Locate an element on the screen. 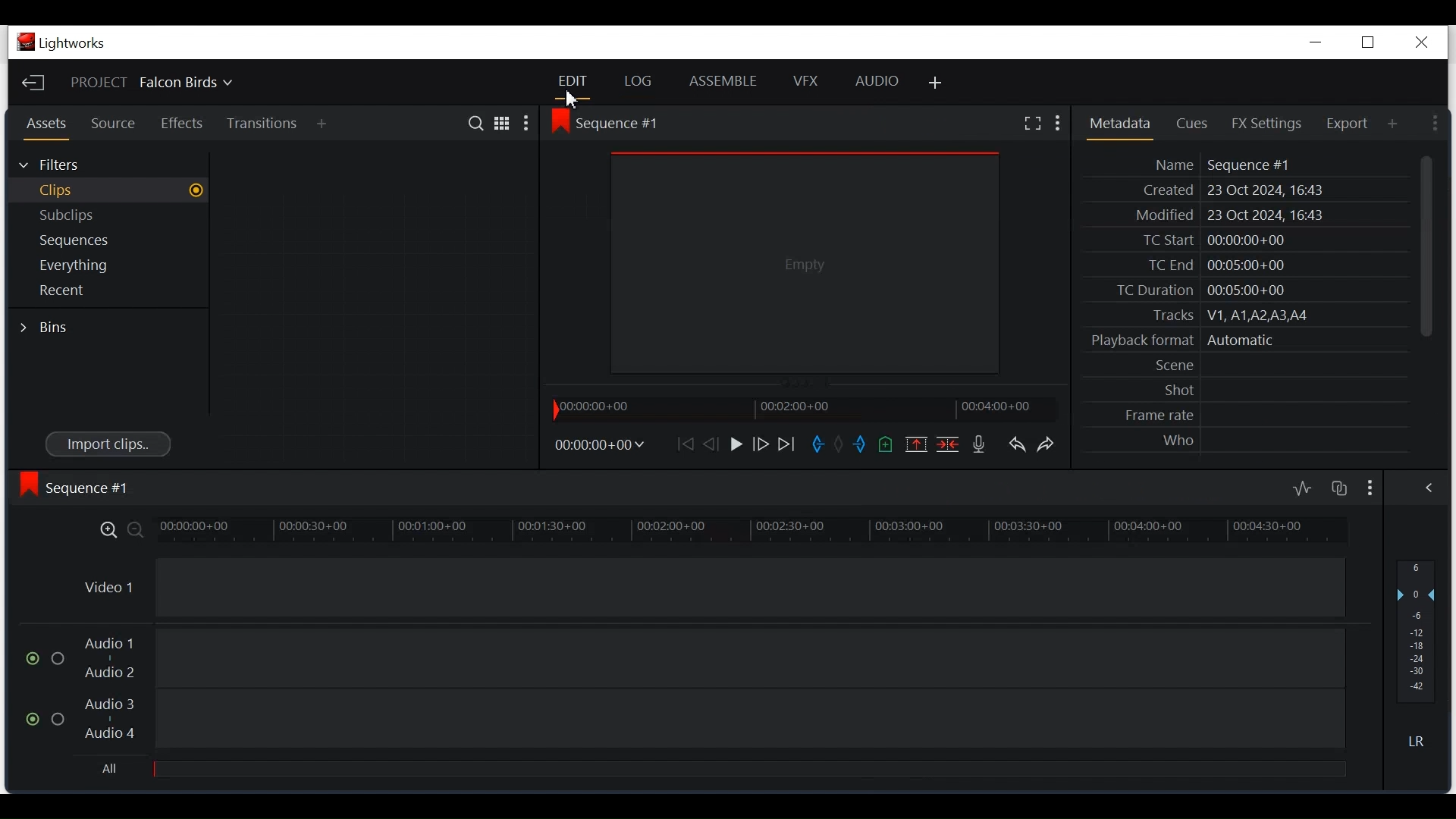  Metadata Panel is located at coordinates (1237, 161).